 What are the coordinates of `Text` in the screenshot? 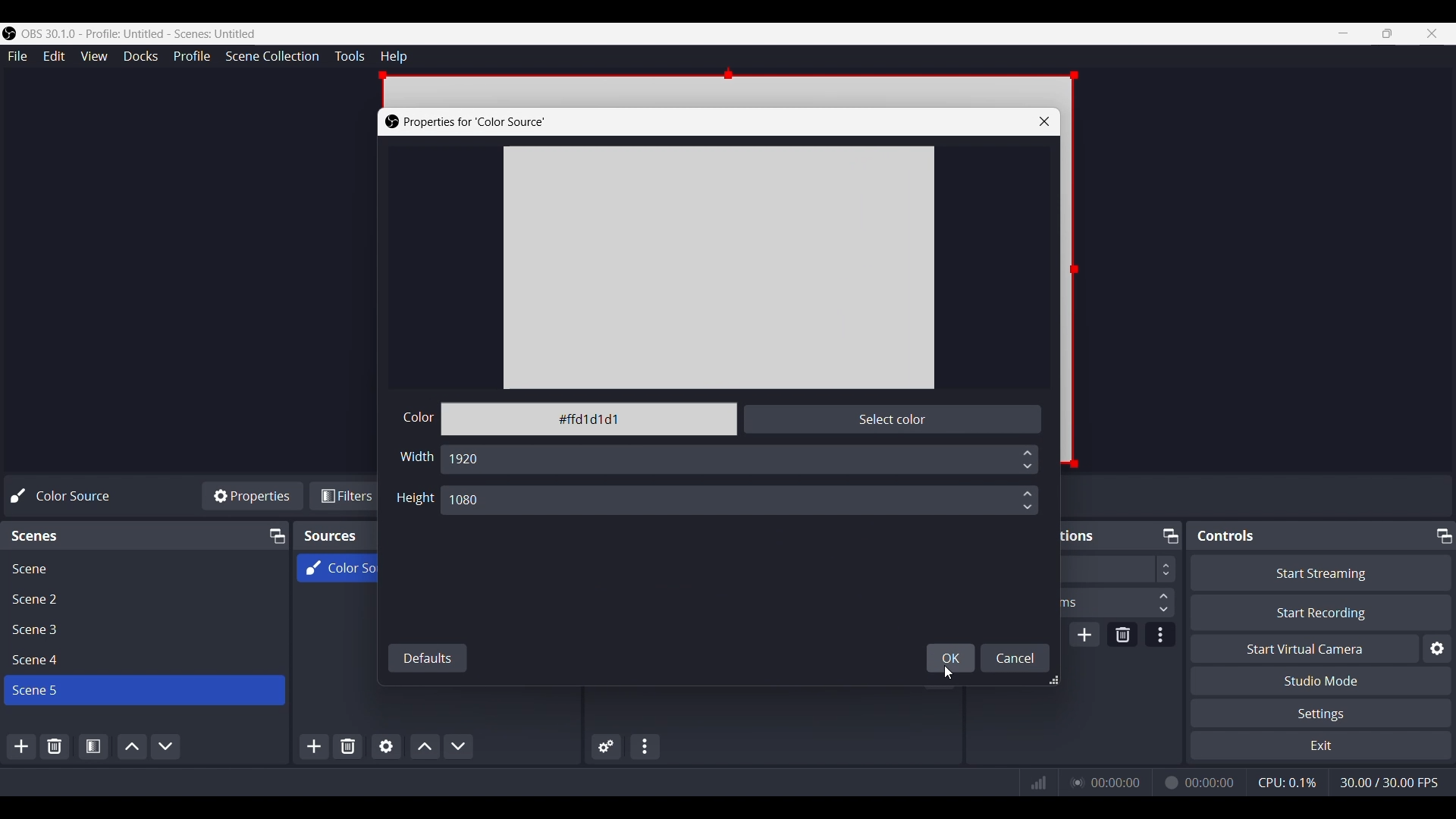 It's located at (37, 535).